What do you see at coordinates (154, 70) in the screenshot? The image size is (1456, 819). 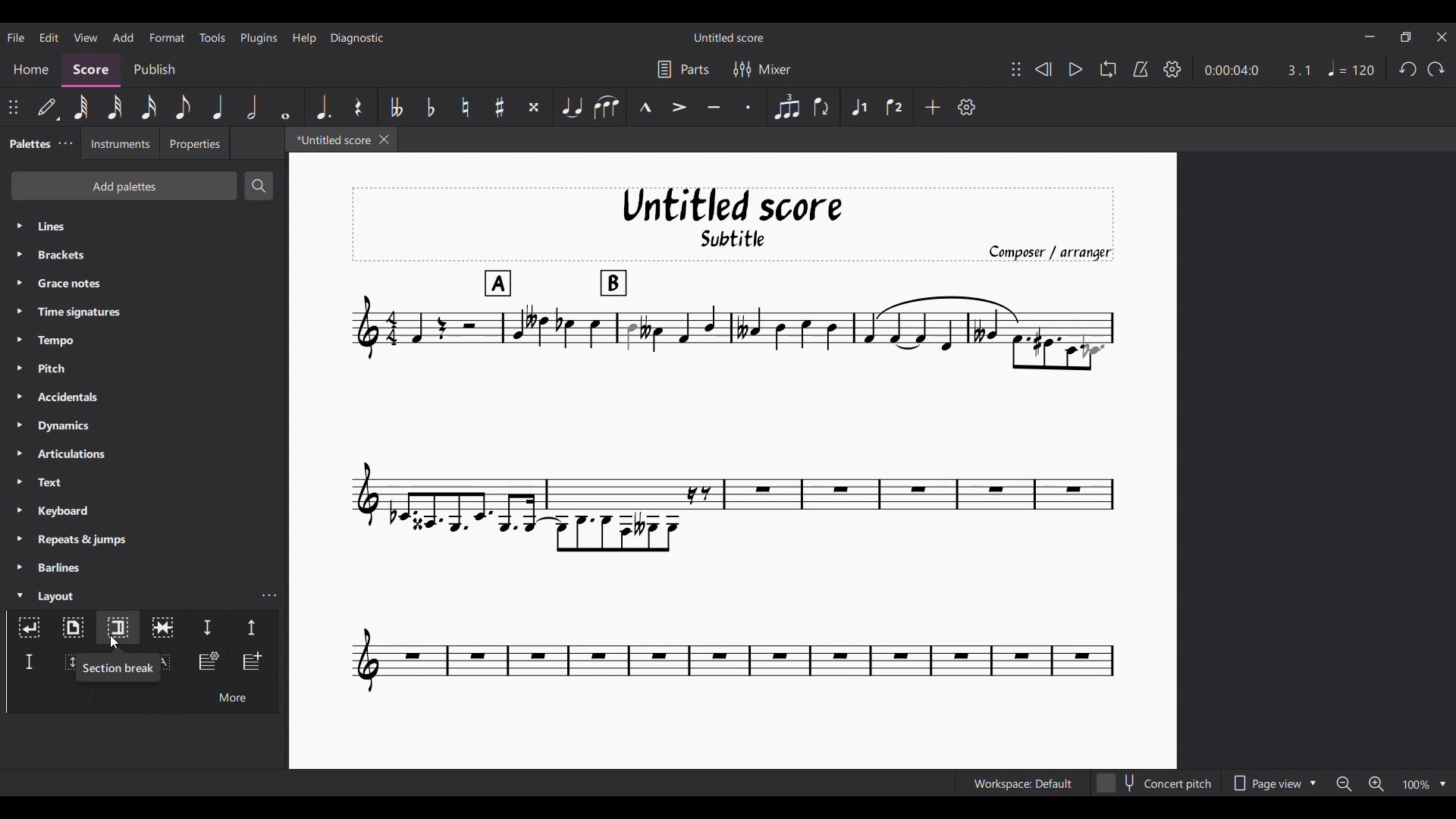 I see `Publish section` at bounding box center [154, 70].